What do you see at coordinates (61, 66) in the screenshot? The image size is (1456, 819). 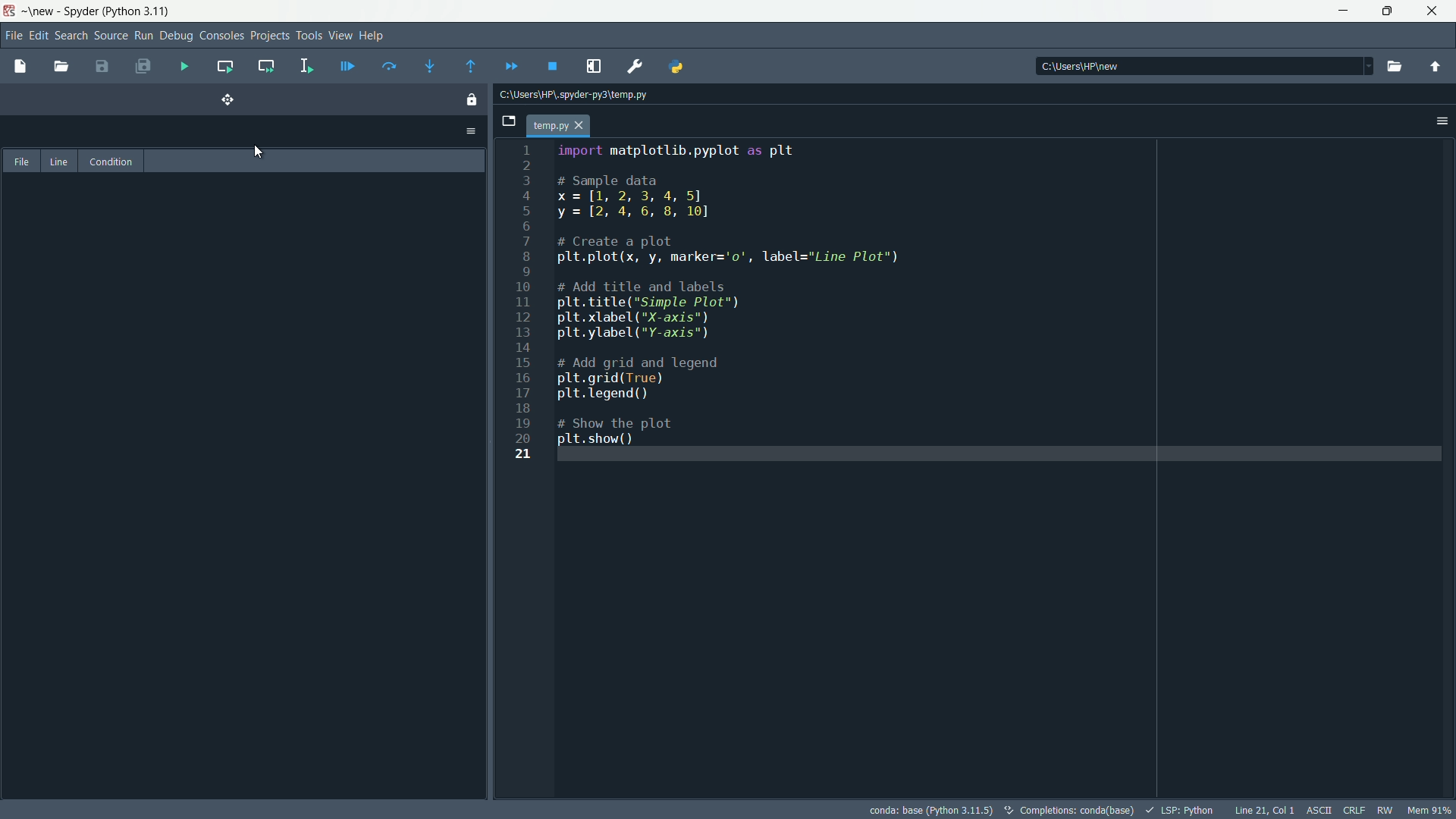 I see `open file` at bounding box center [61, 66].